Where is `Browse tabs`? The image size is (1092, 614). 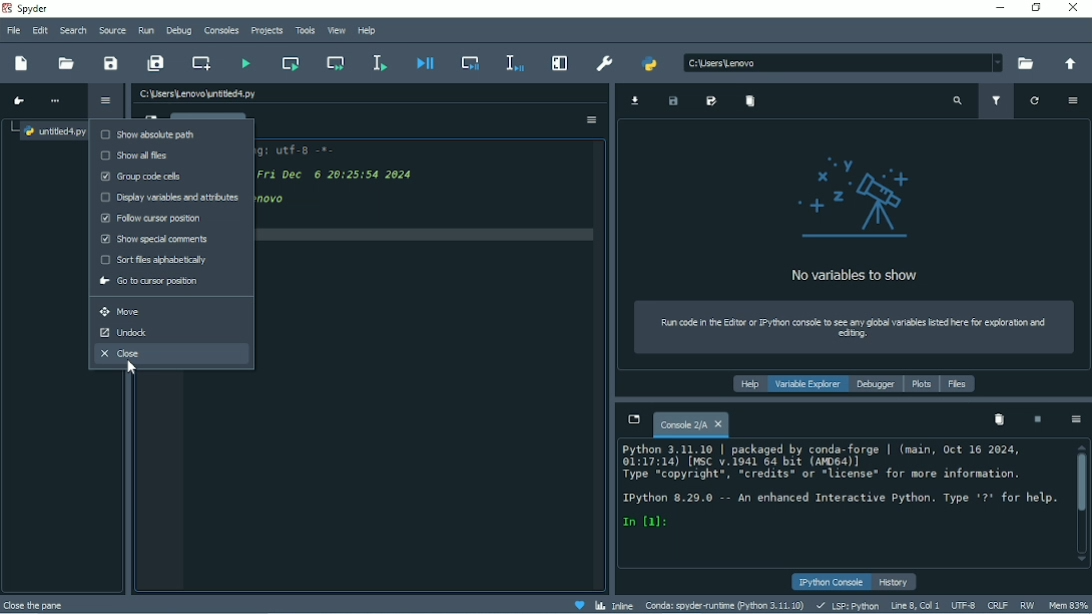
Browse tabs is located at coordinates (633, 421).